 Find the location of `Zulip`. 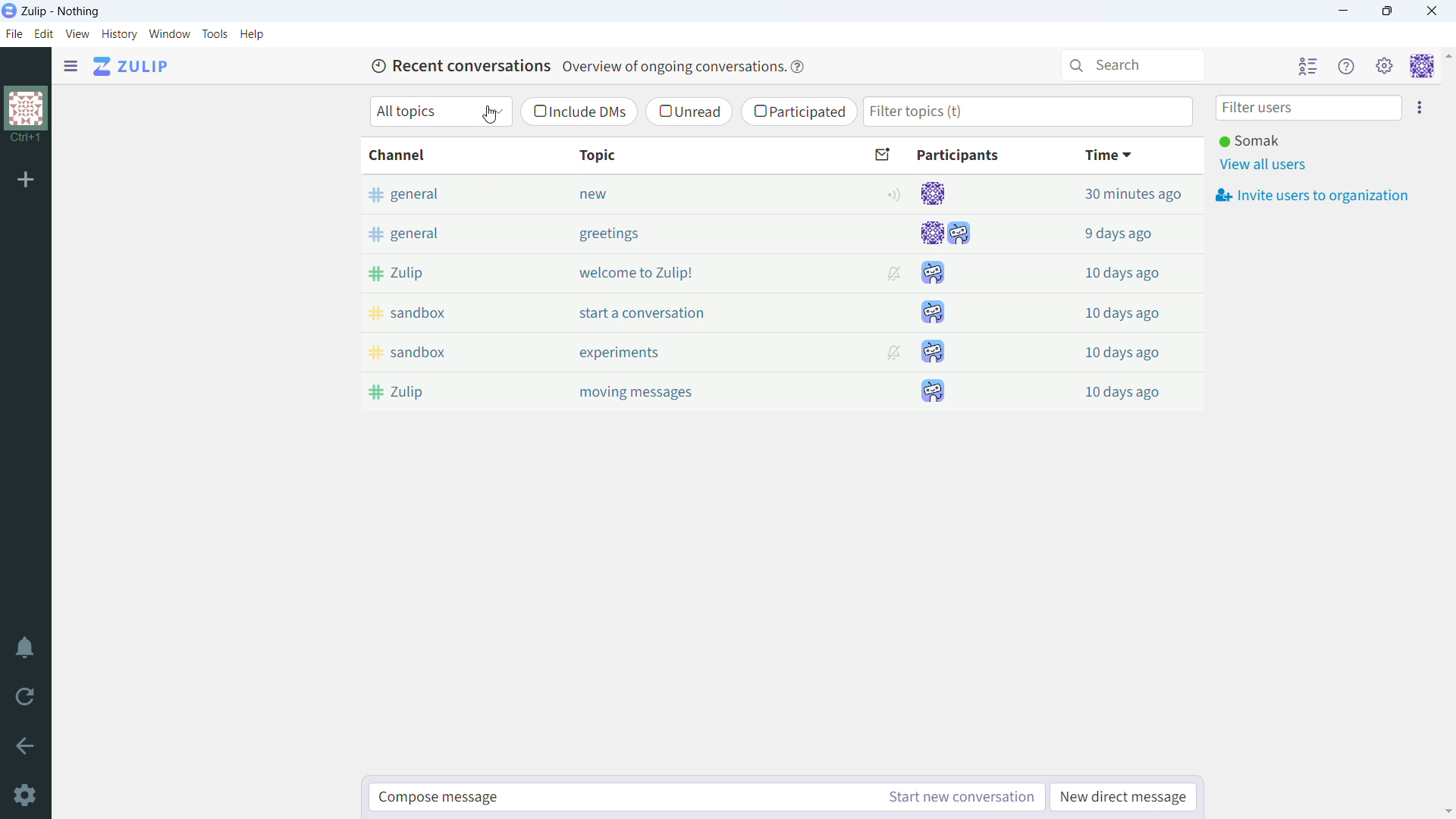

Zulip is located at coordinates (445, 272).